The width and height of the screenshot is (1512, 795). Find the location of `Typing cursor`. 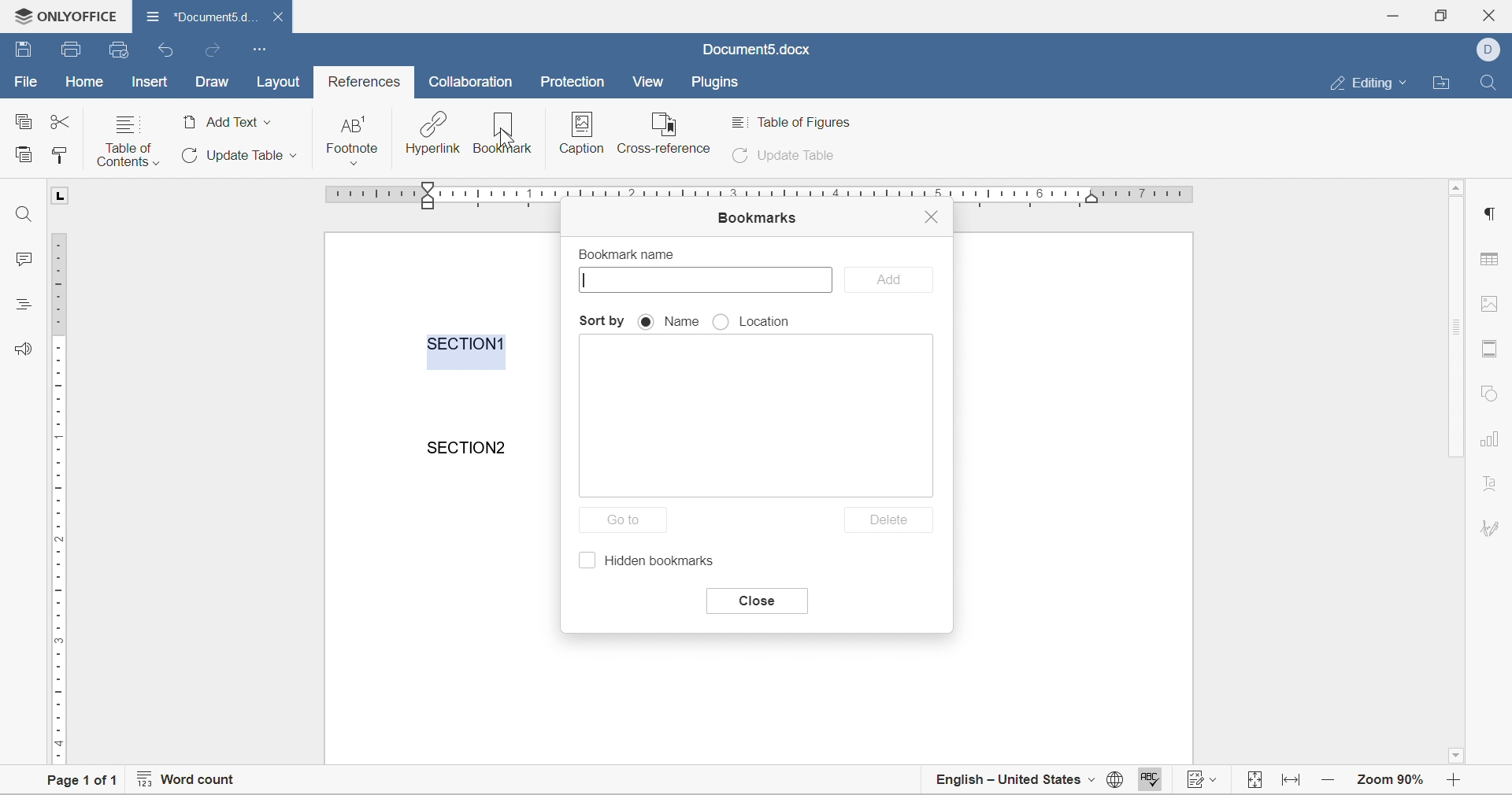

Typing cursor is located at coordinates (585, 279).